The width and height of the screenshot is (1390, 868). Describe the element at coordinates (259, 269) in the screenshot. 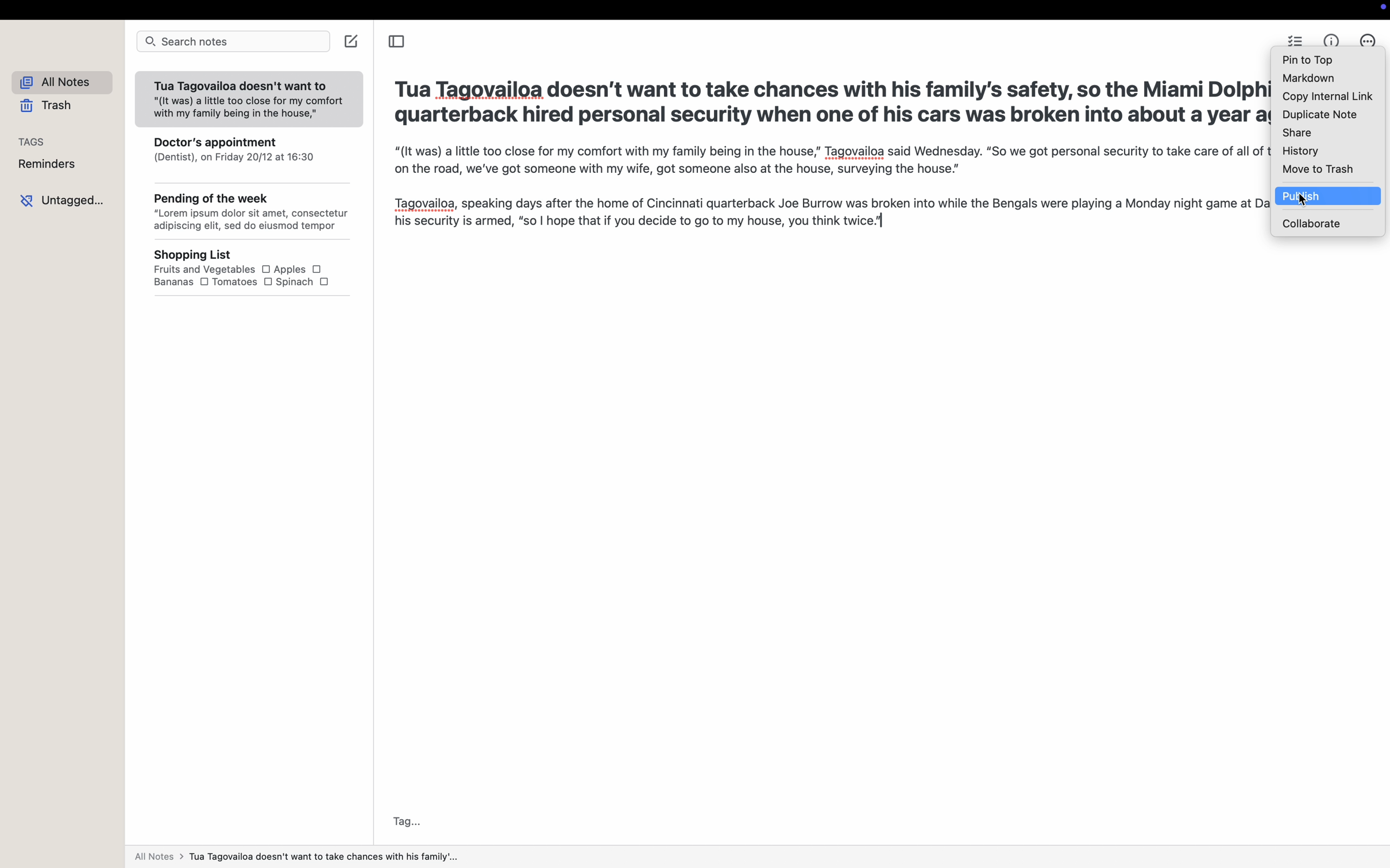

I see `Shopping List
Fruits and Vegetables O Apples O
Bananas 0 Tomatoes O Spinach O` at that location.